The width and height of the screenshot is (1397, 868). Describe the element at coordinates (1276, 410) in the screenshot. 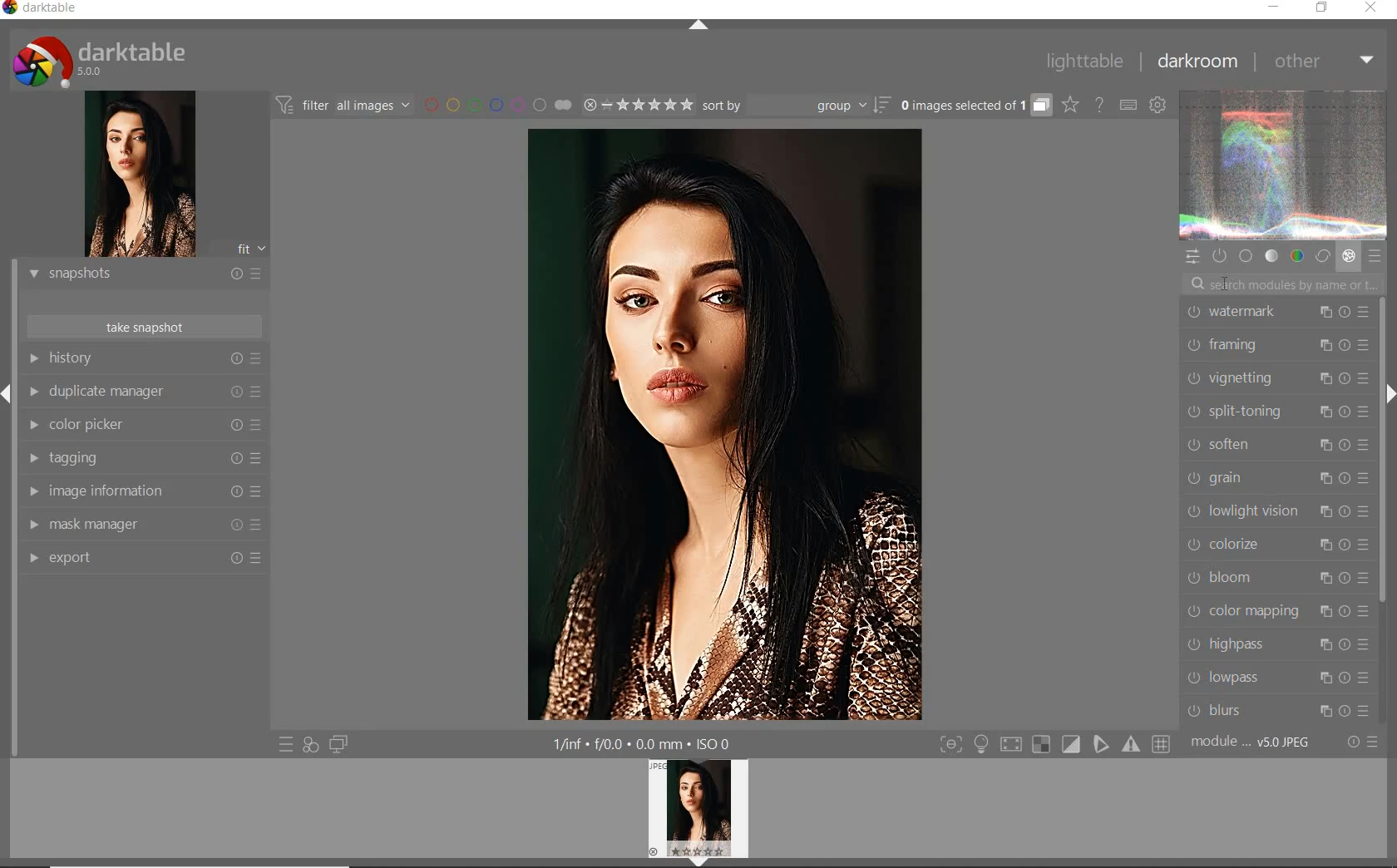

I see `SPLIT-TONING` at that location.